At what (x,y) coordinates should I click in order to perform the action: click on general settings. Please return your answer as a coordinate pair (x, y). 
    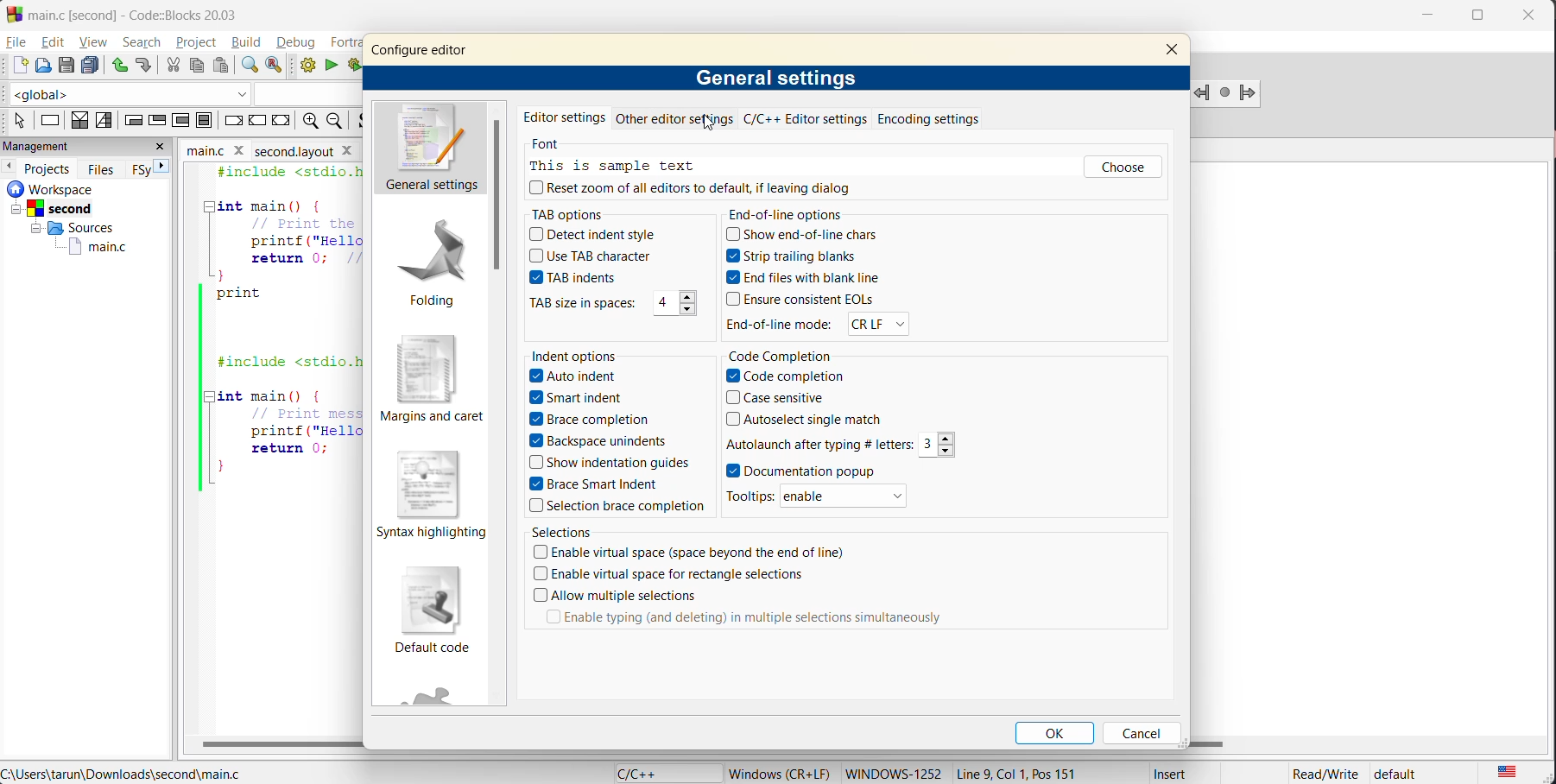
    Looking at the image, I should click on (774, 79).